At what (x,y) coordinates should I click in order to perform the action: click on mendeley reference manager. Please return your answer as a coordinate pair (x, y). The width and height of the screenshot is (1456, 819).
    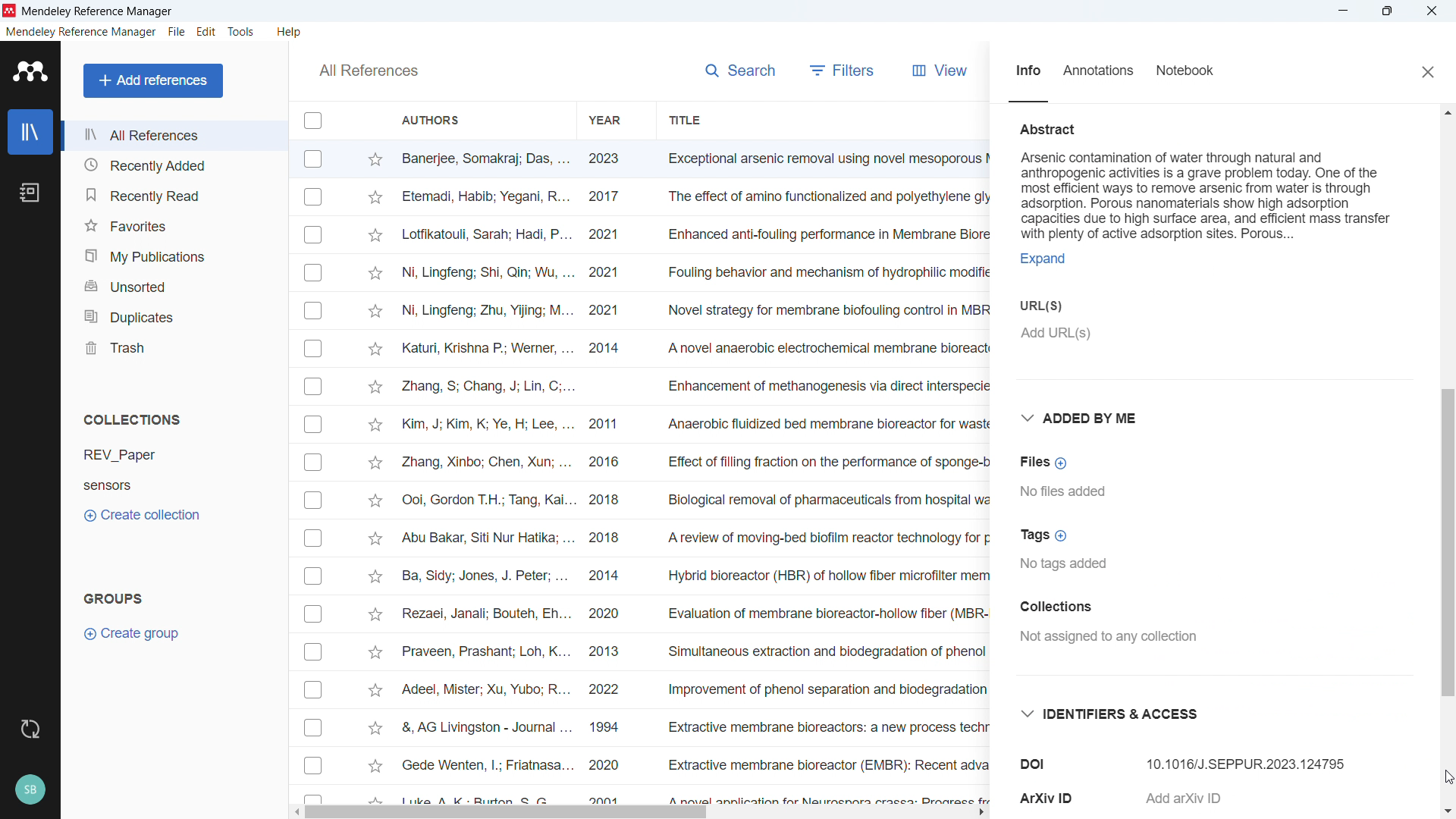
    Looking at the image, I should click on (99, 11).